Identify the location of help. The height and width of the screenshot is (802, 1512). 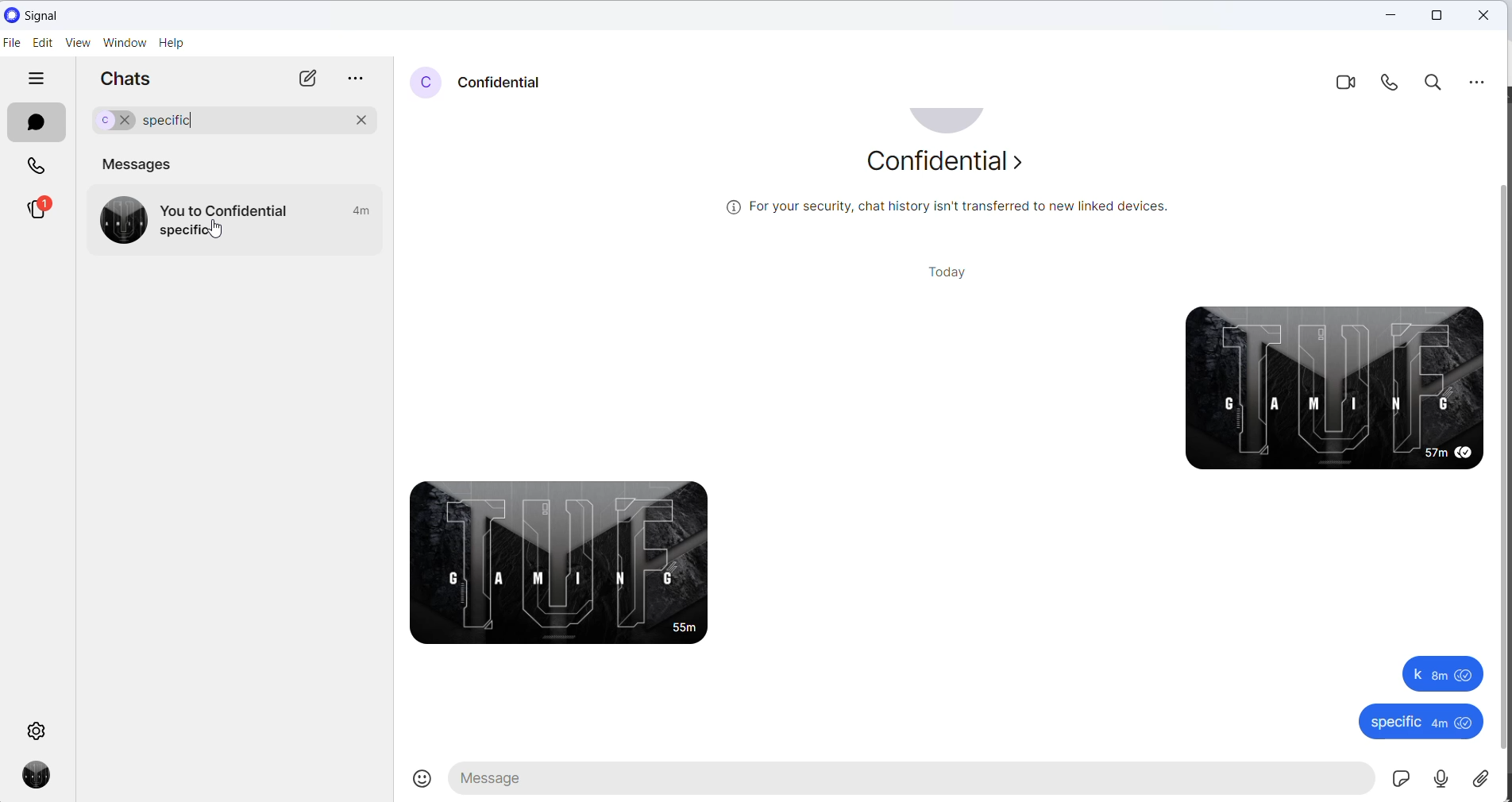
(172, 44).